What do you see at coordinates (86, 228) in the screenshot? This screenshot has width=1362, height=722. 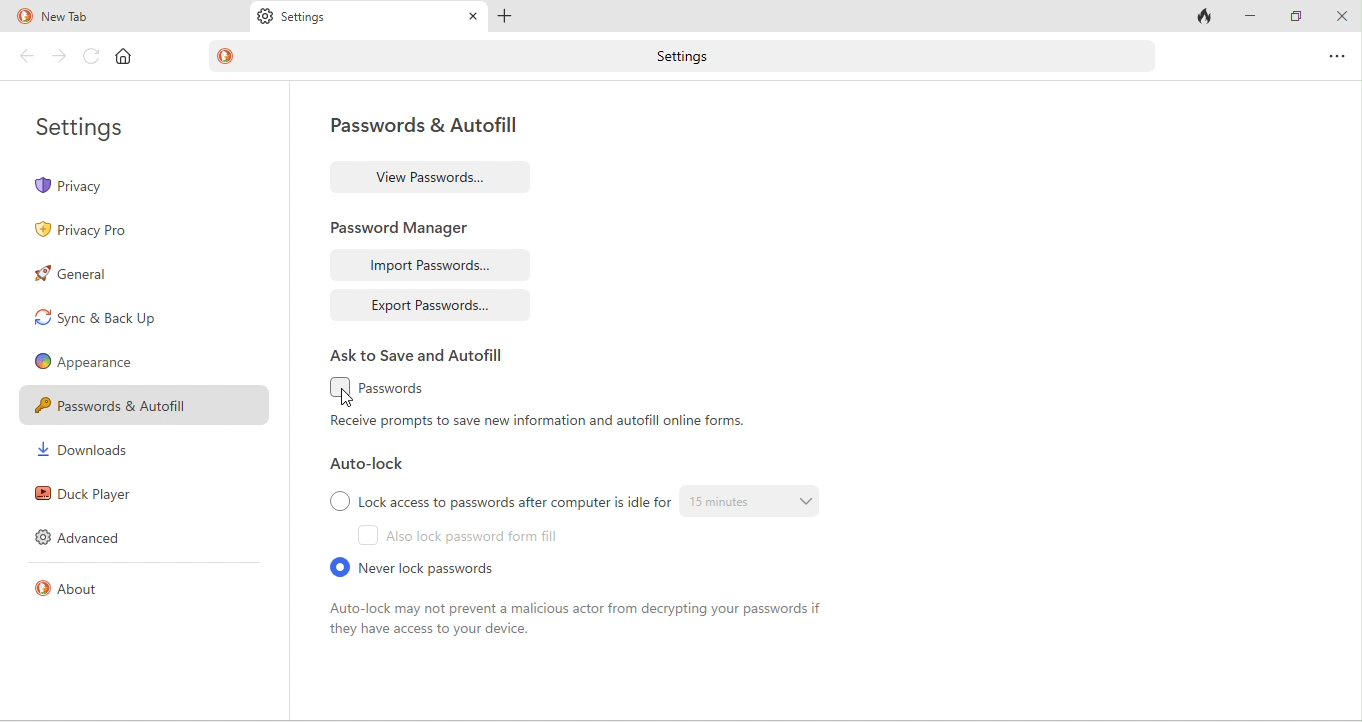 I see `privacy pro` at bounding box center [86, 228].